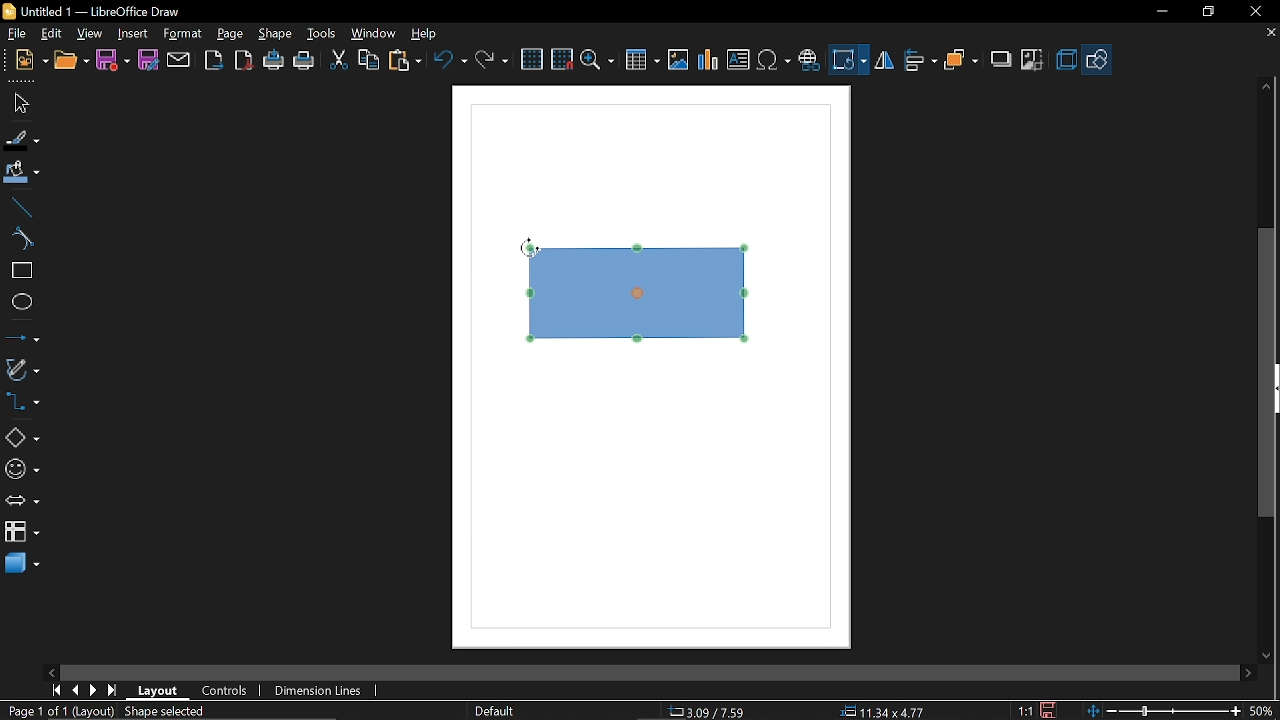  What do you see at coordinates (91, 10) in the screenshot?
I see `Untitled 1 - LibreOffice Draw` at bounding box center [91, 10].